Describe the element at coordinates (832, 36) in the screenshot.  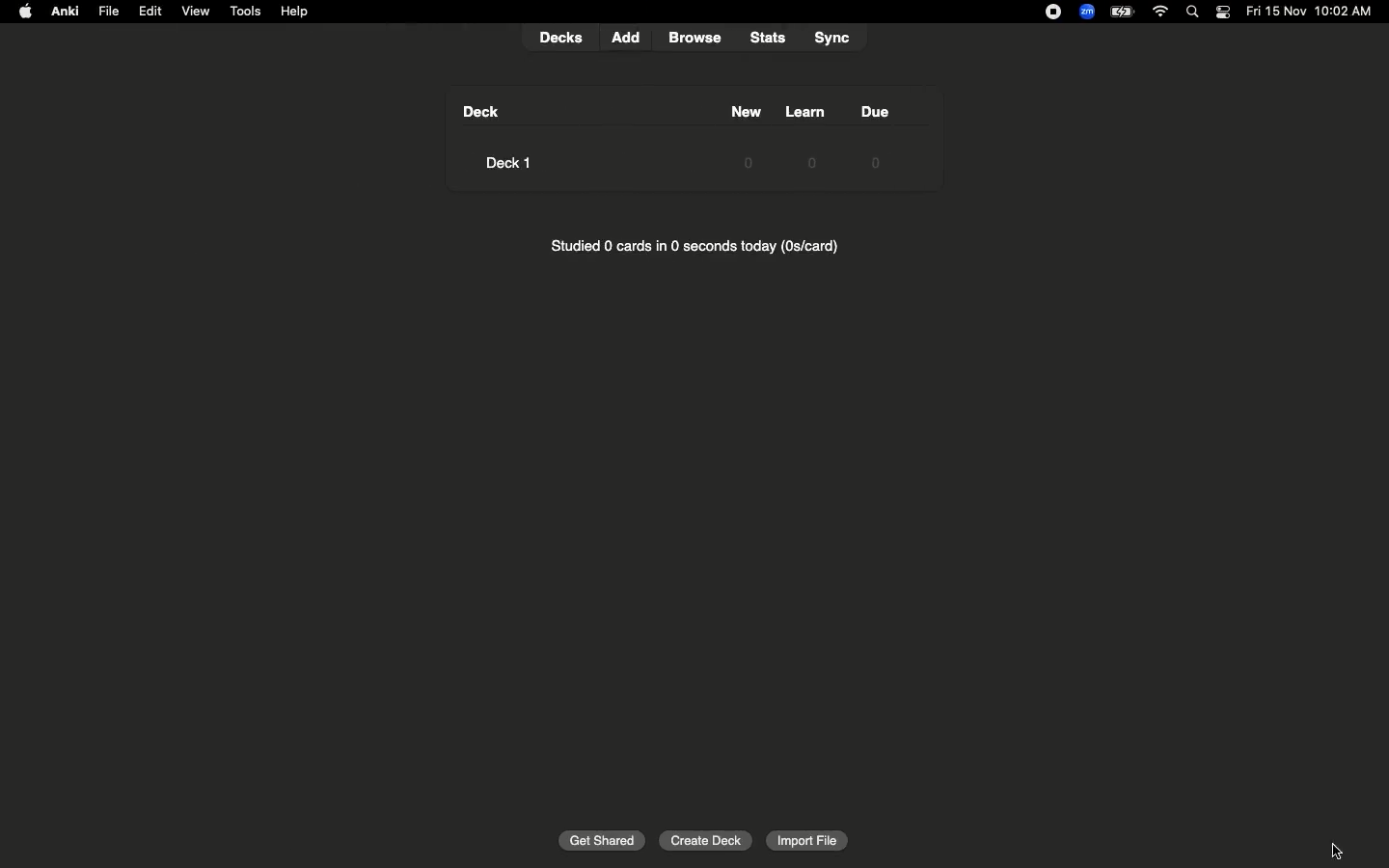
I see `Sync` at that location.